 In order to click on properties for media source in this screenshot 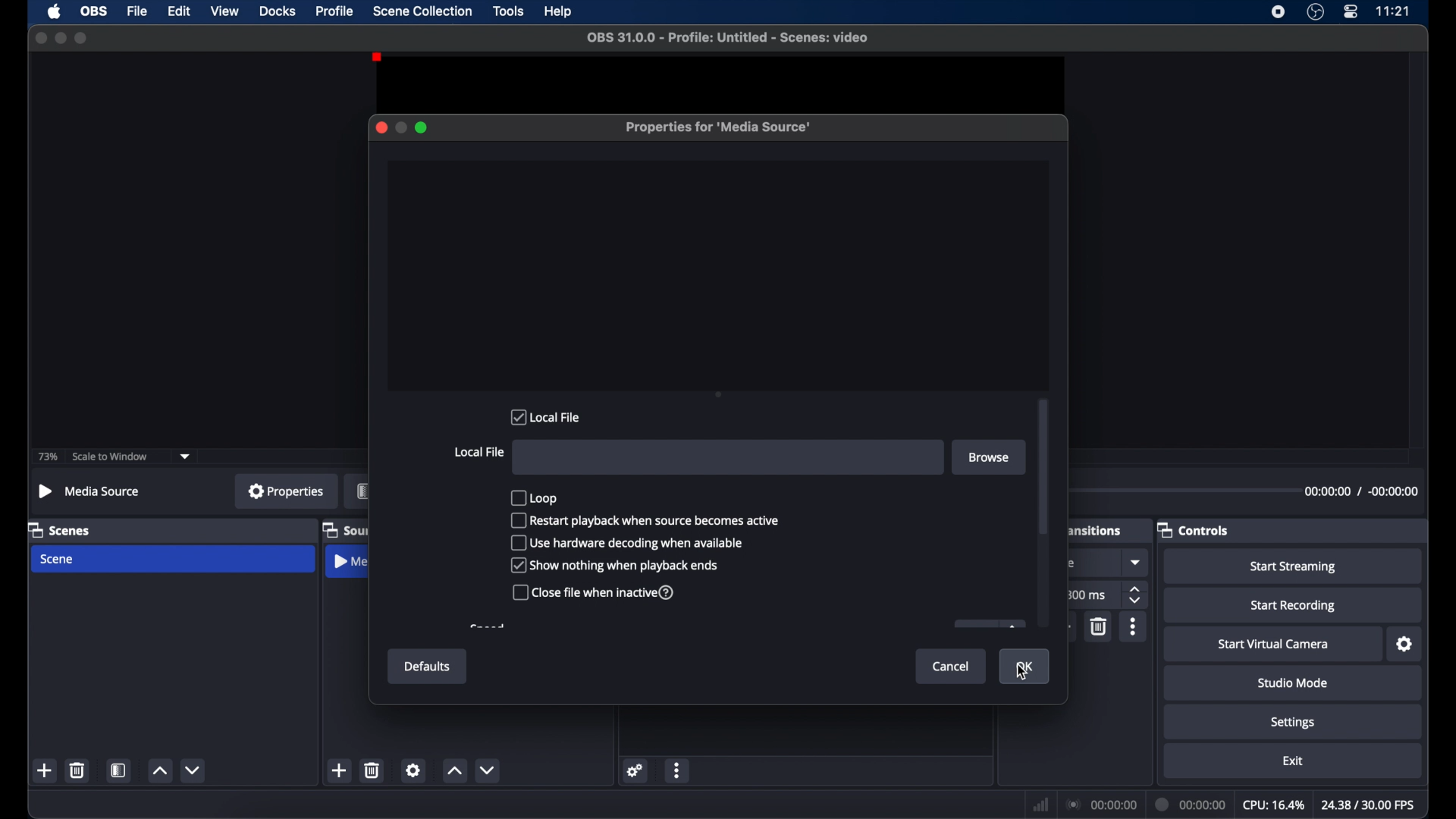, I will do `click(717, 127)`.